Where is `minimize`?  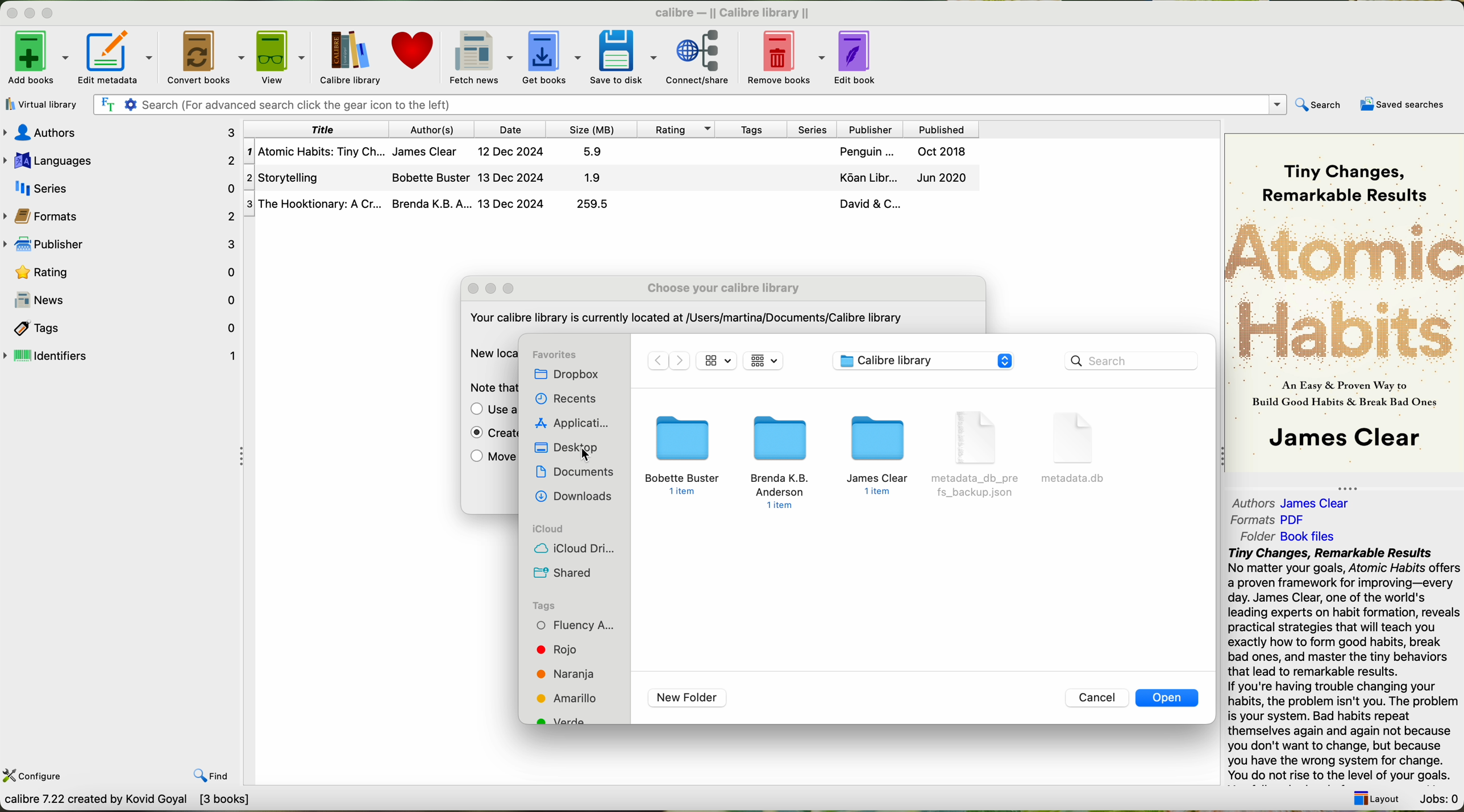
minimize is located at coordinates (495, 289).